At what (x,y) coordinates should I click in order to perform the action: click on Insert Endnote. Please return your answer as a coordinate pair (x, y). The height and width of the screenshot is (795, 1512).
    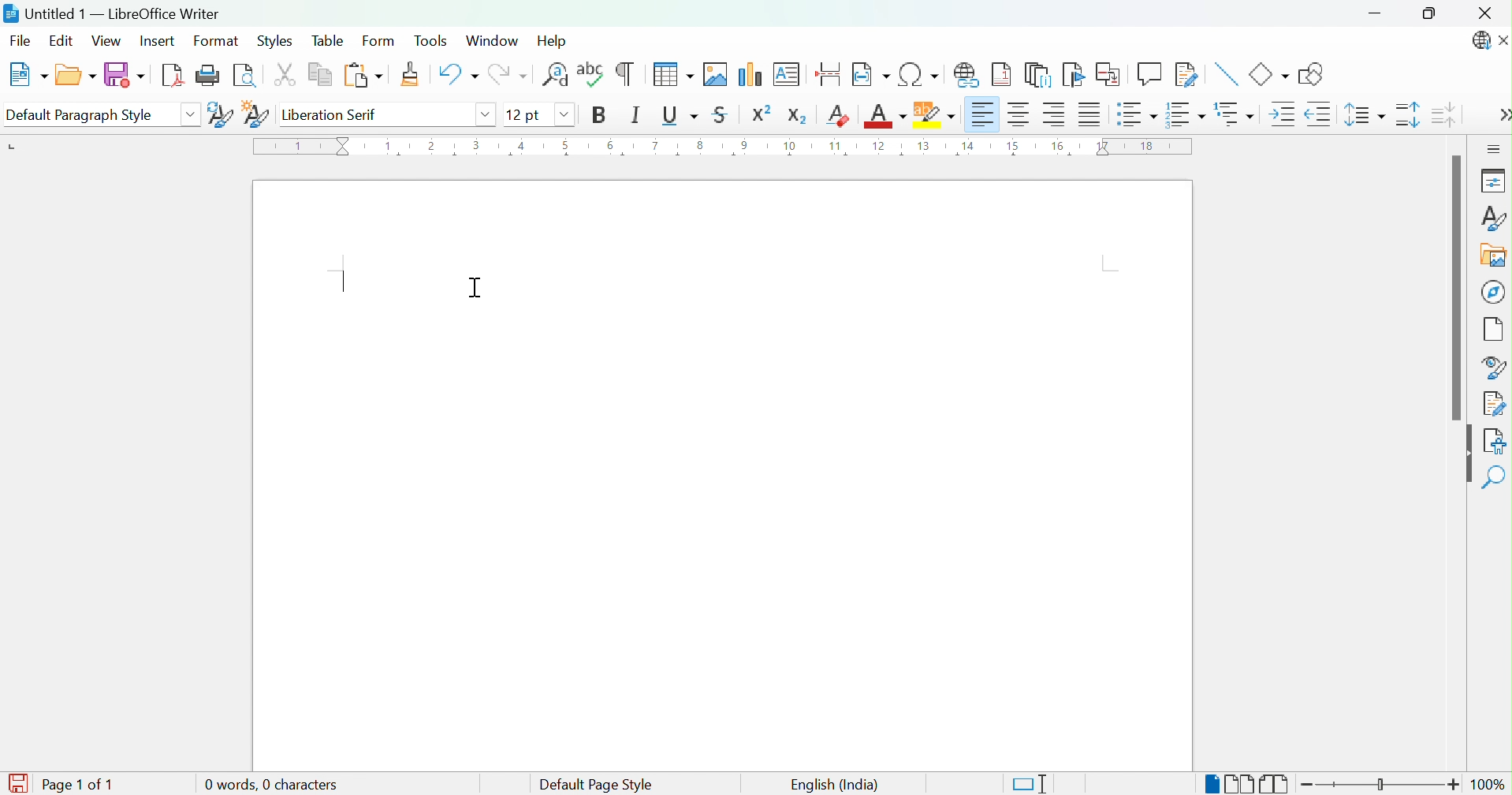
    Looking at the image, I should click on (1037, 74).